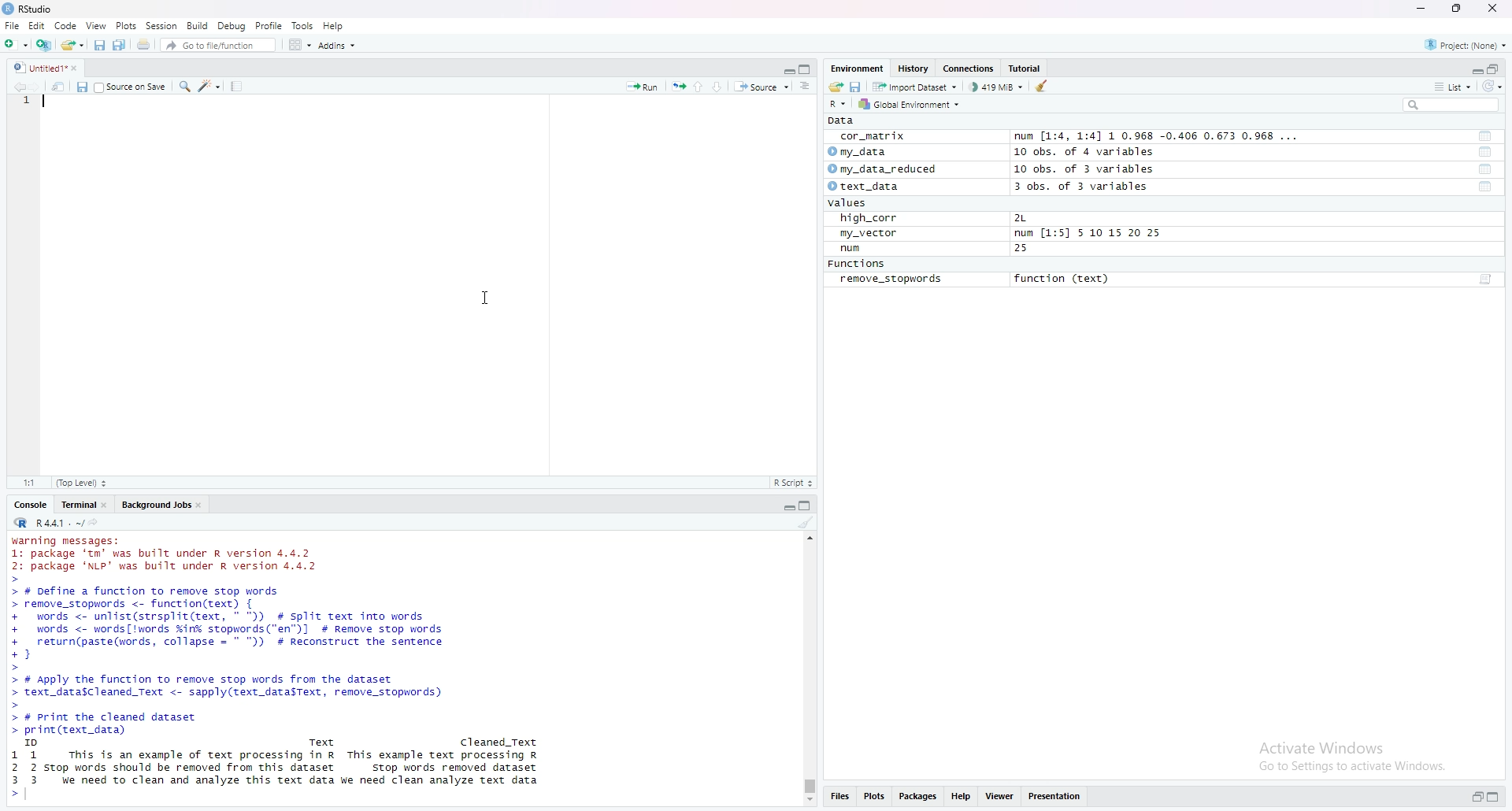 The width and height of the screenshot is (1512, 811). I want to click on Packages, so click(916, 797).